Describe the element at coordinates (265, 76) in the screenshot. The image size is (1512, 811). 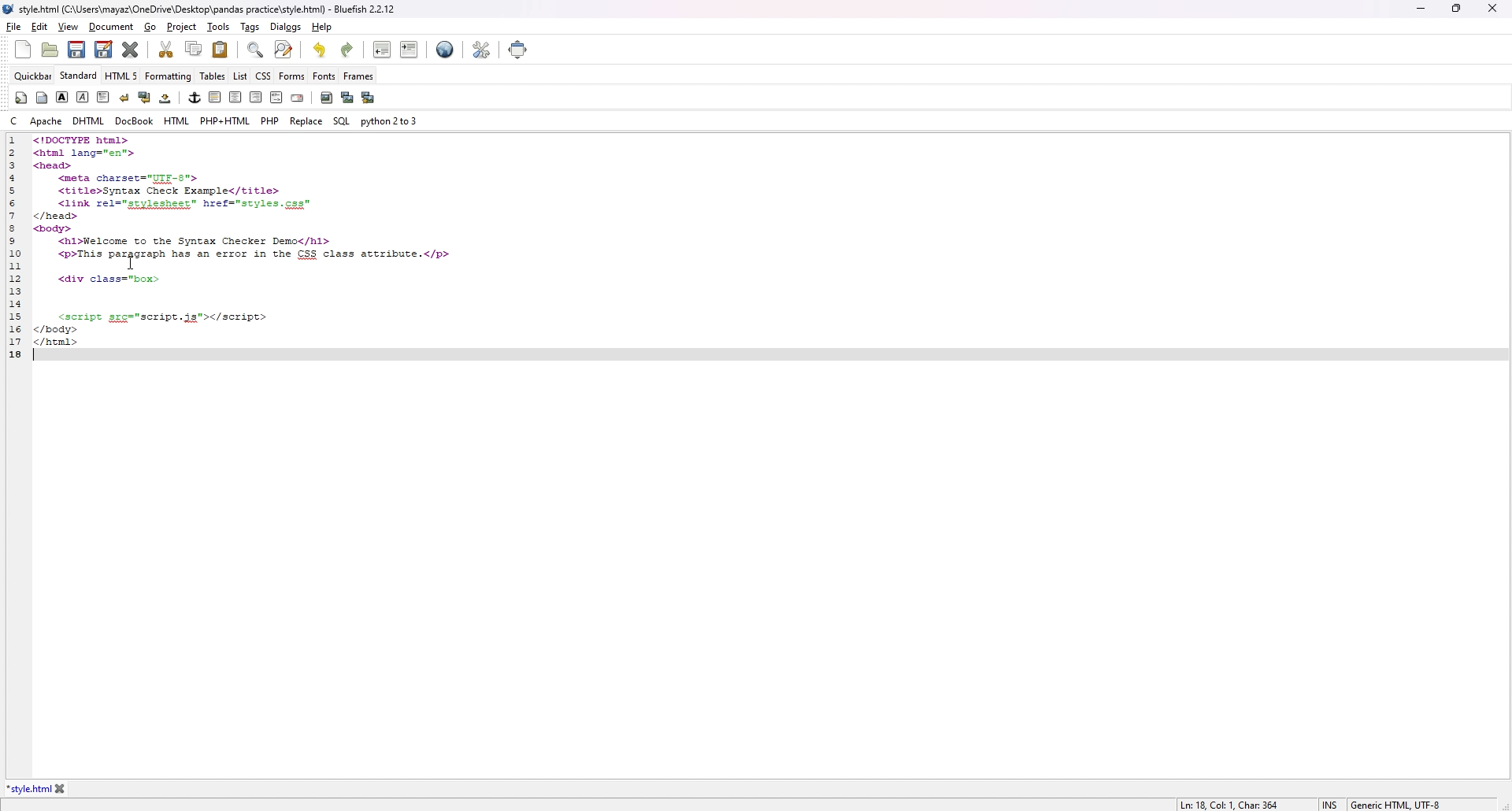
I see `css` at that location.